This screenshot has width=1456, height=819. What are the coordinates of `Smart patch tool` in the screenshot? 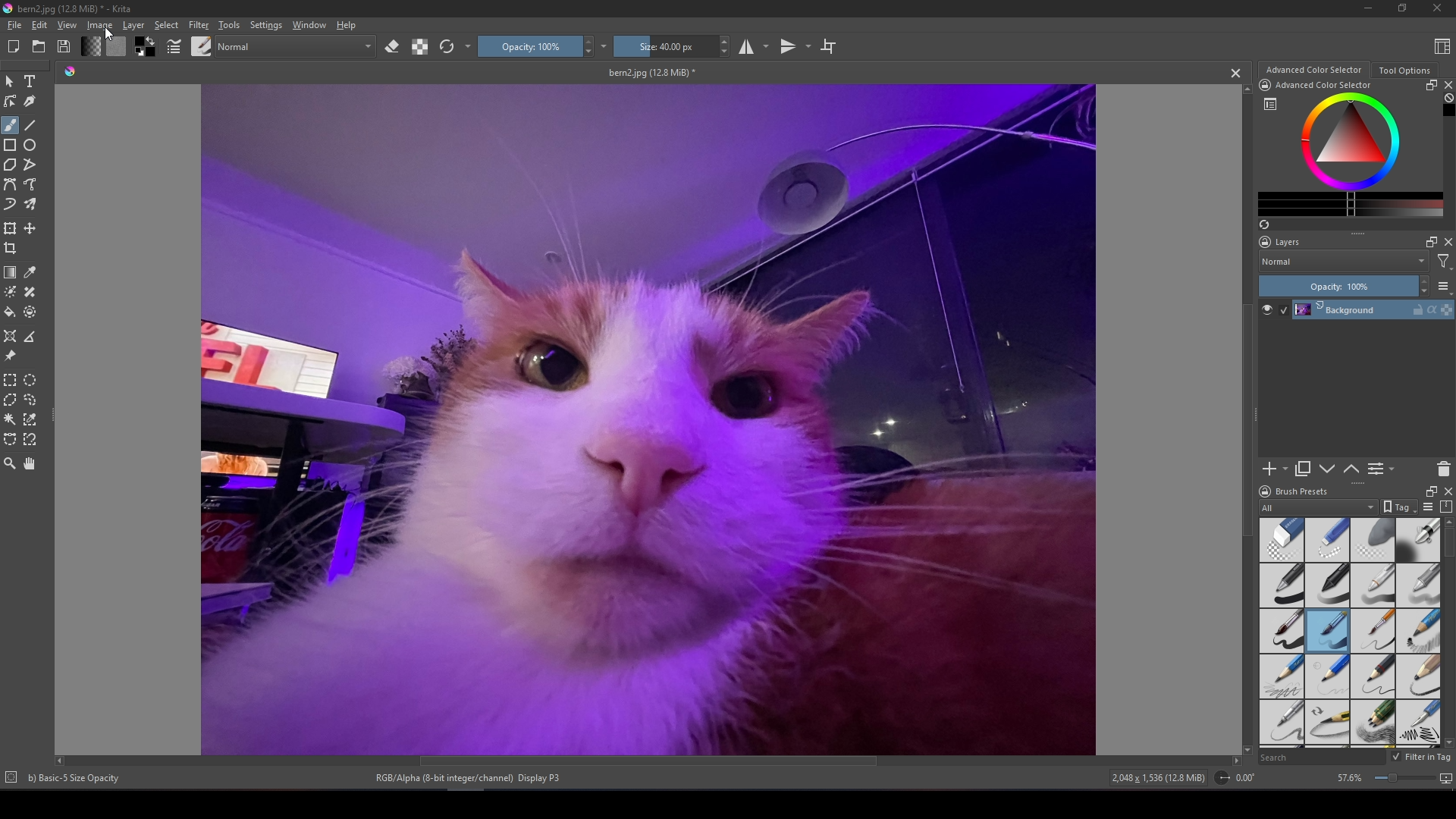 It's located at (30, 292).